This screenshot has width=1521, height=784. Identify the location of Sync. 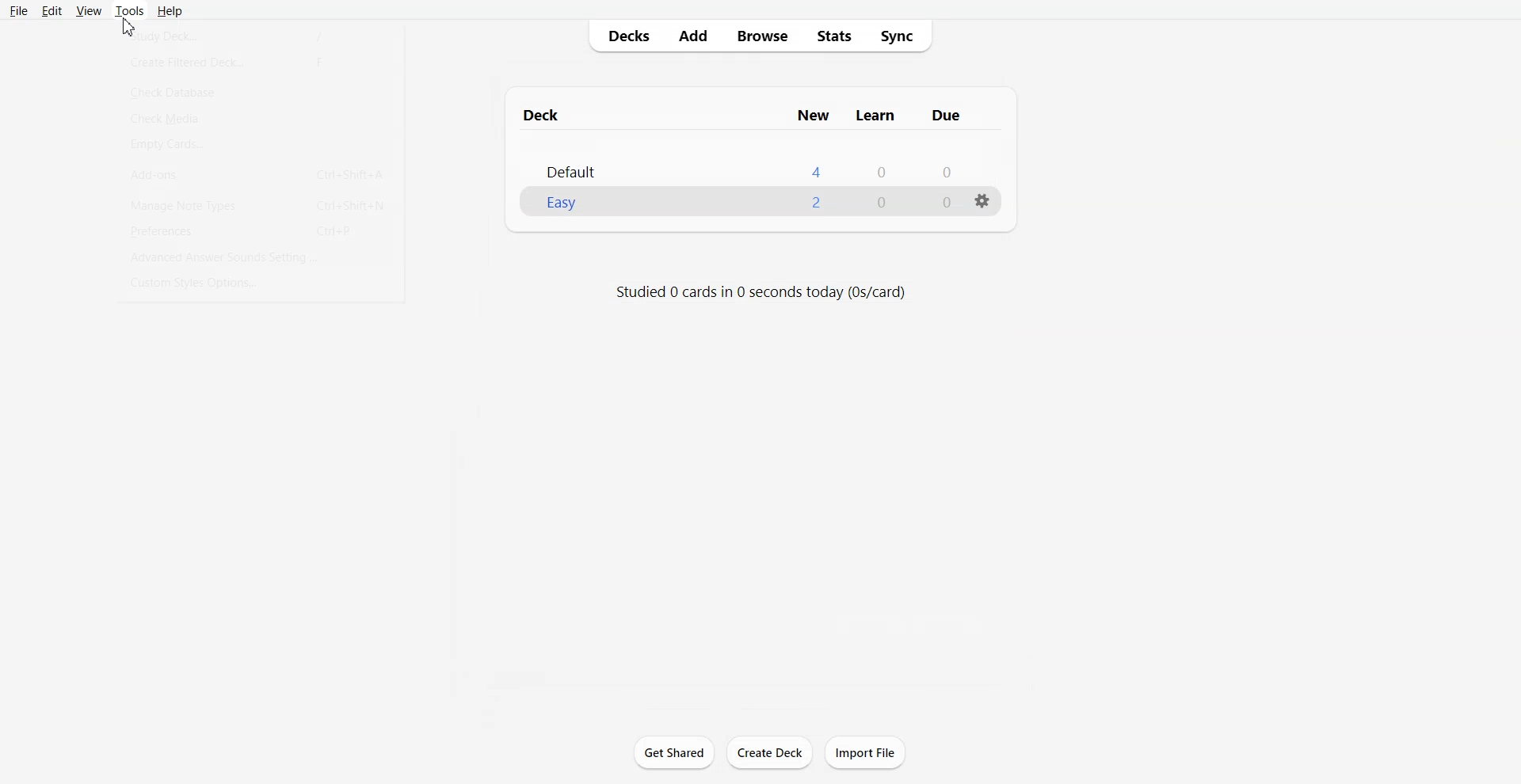
(902, 36).